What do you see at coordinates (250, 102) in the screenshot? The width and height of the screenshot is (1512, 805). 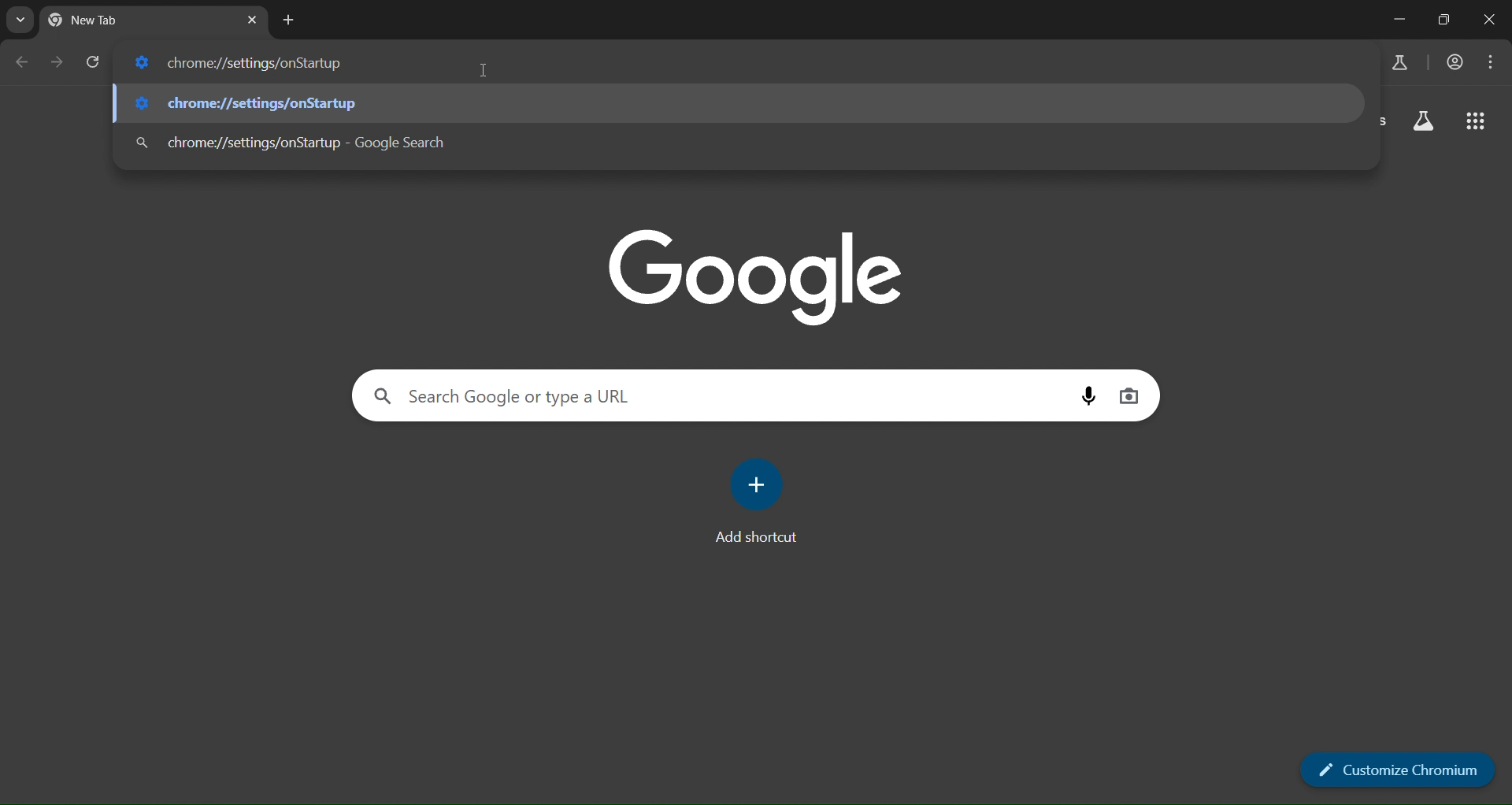 I see `chrome://settings/onStartup` at bounding box center [250, 102].